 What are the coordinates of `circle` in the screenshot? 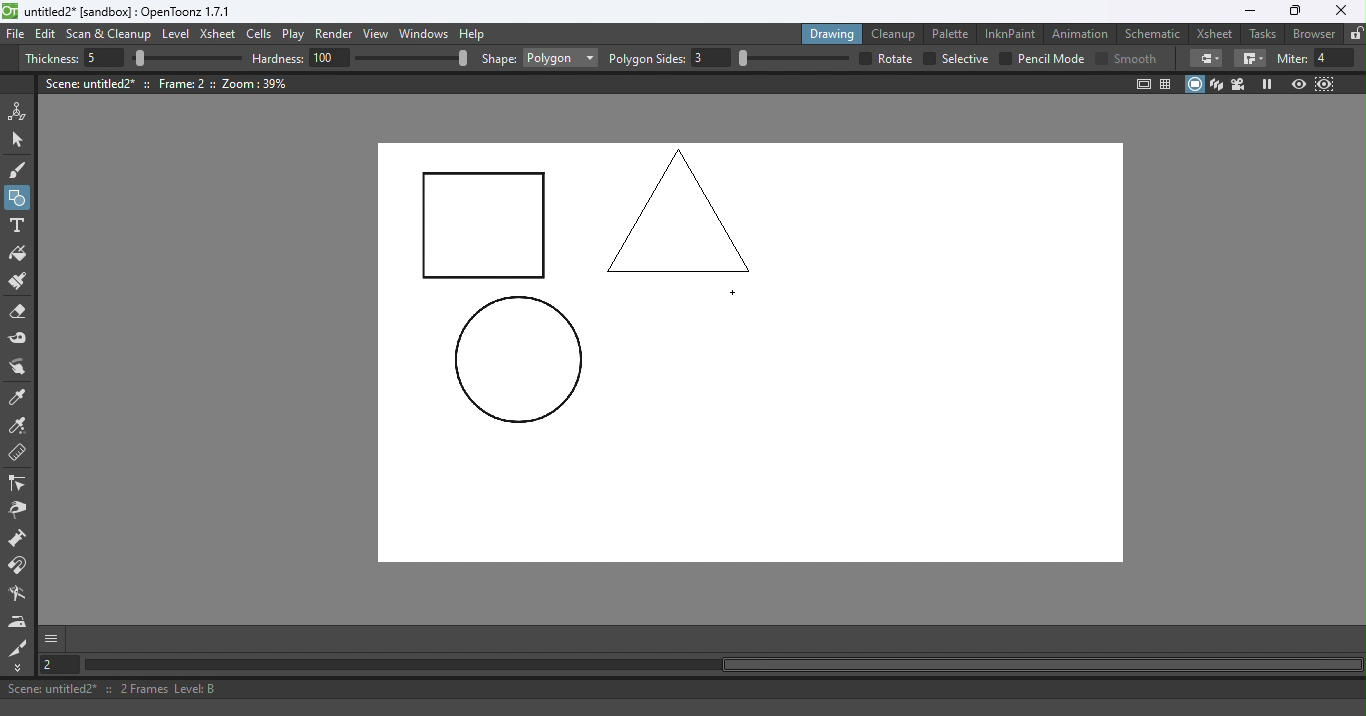 It's located at (518, 361).